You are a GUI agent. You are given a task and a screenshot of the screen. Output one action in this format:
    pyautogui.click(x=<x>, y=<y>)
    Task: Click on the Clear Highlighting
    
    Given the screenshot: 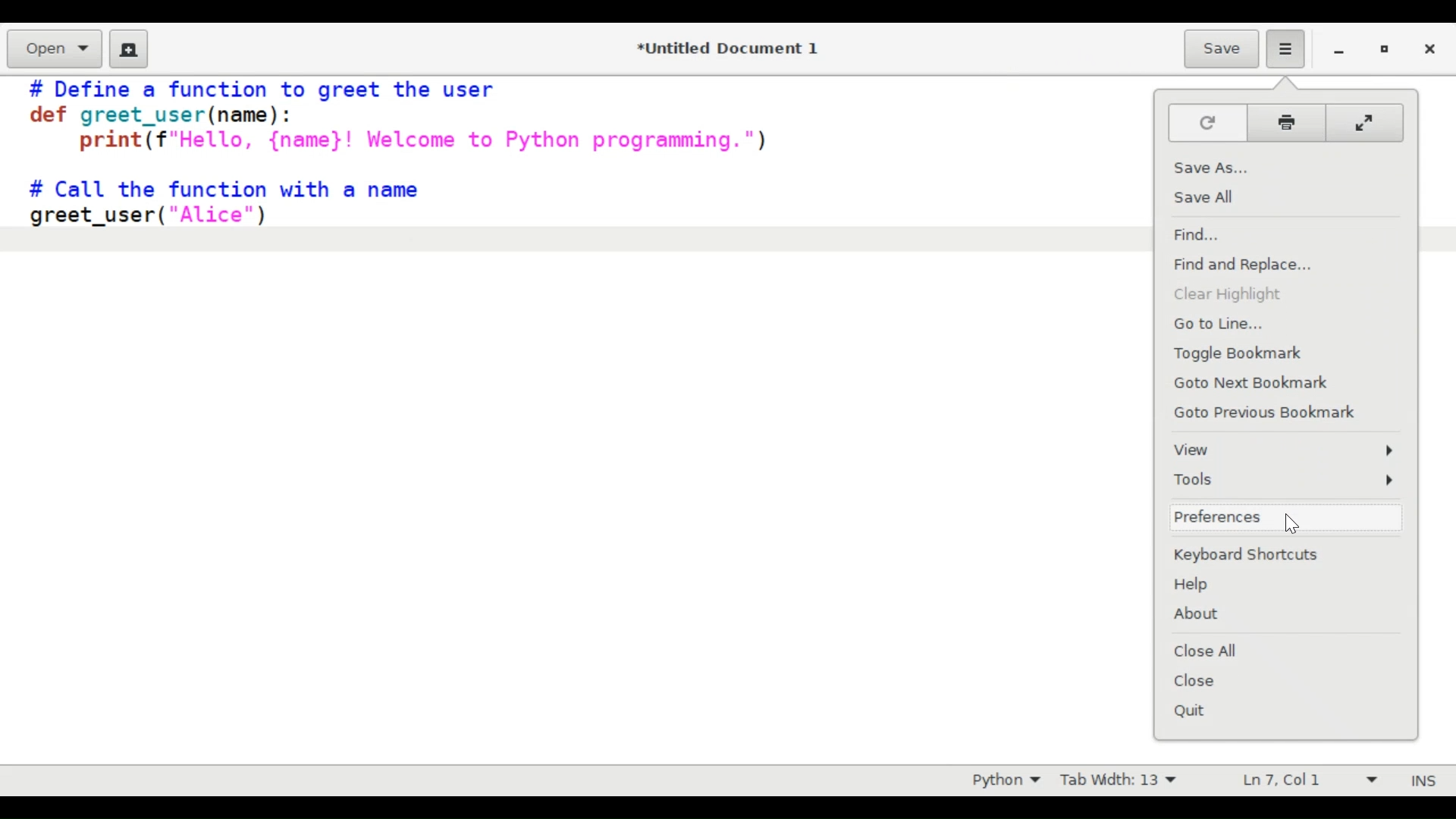 What is the action you would take?
    pyautogui.click(x=1266, y=295)
    